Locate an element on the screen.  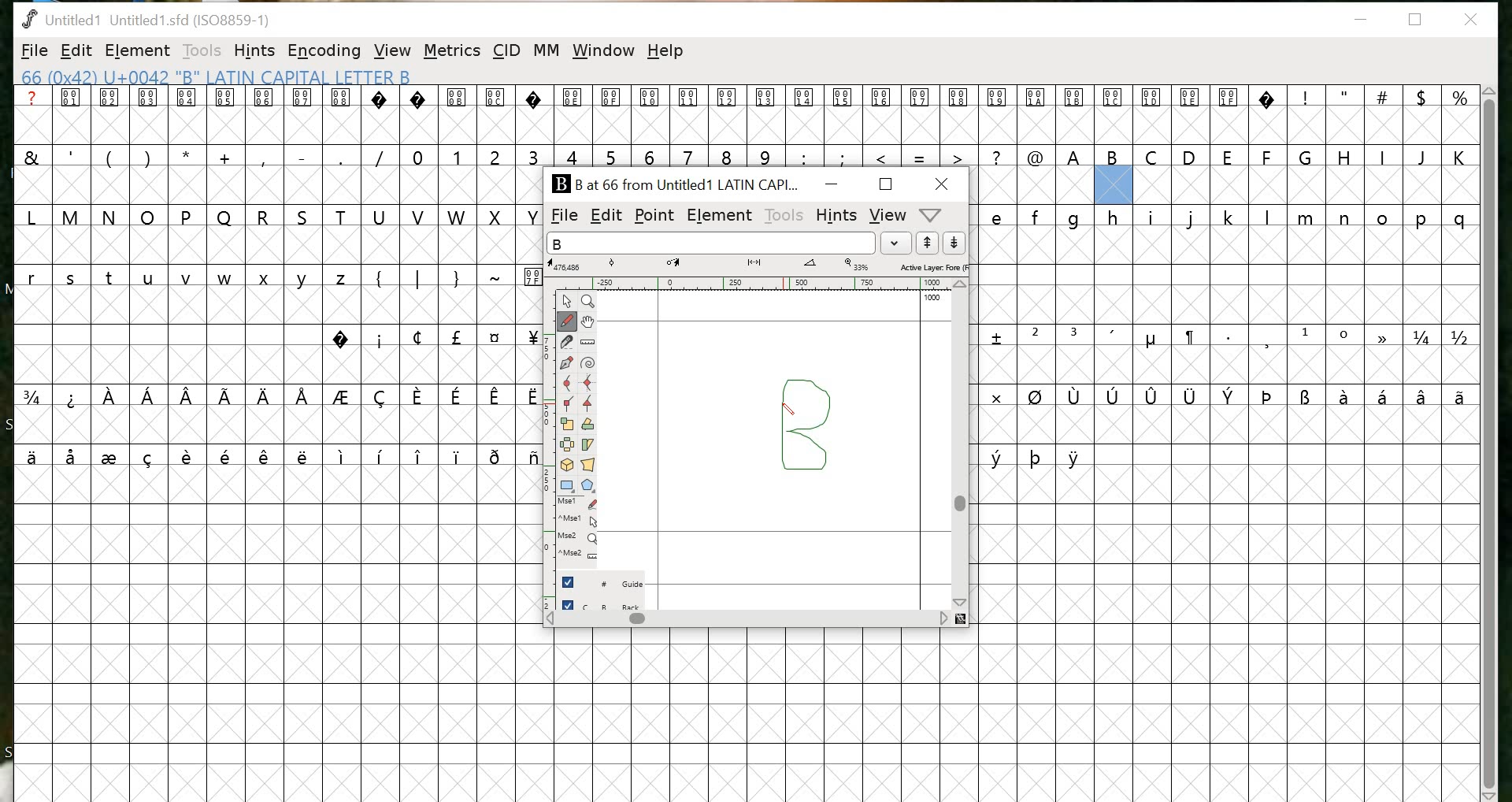
EDIT is located at coordinates (605, 217).